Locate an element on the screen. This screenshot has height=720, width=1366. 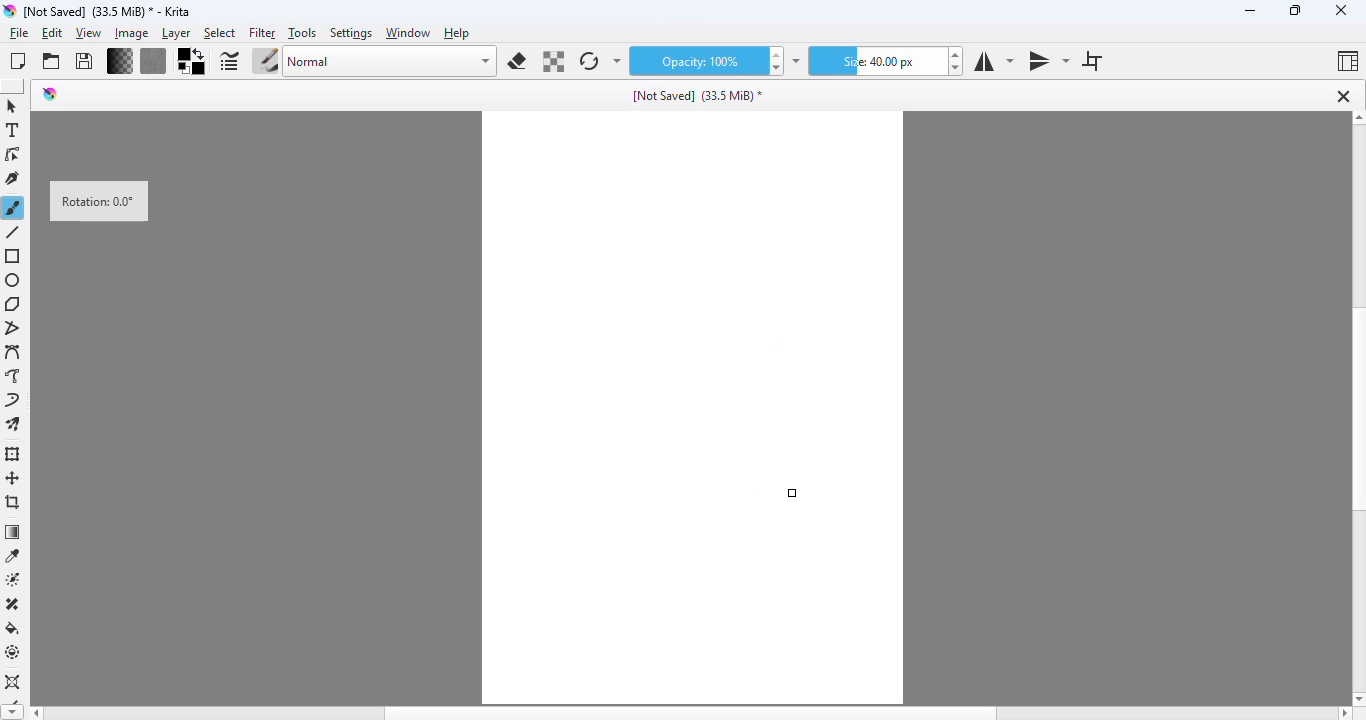
dynamic brush tool is located at coordinates (14, 401).